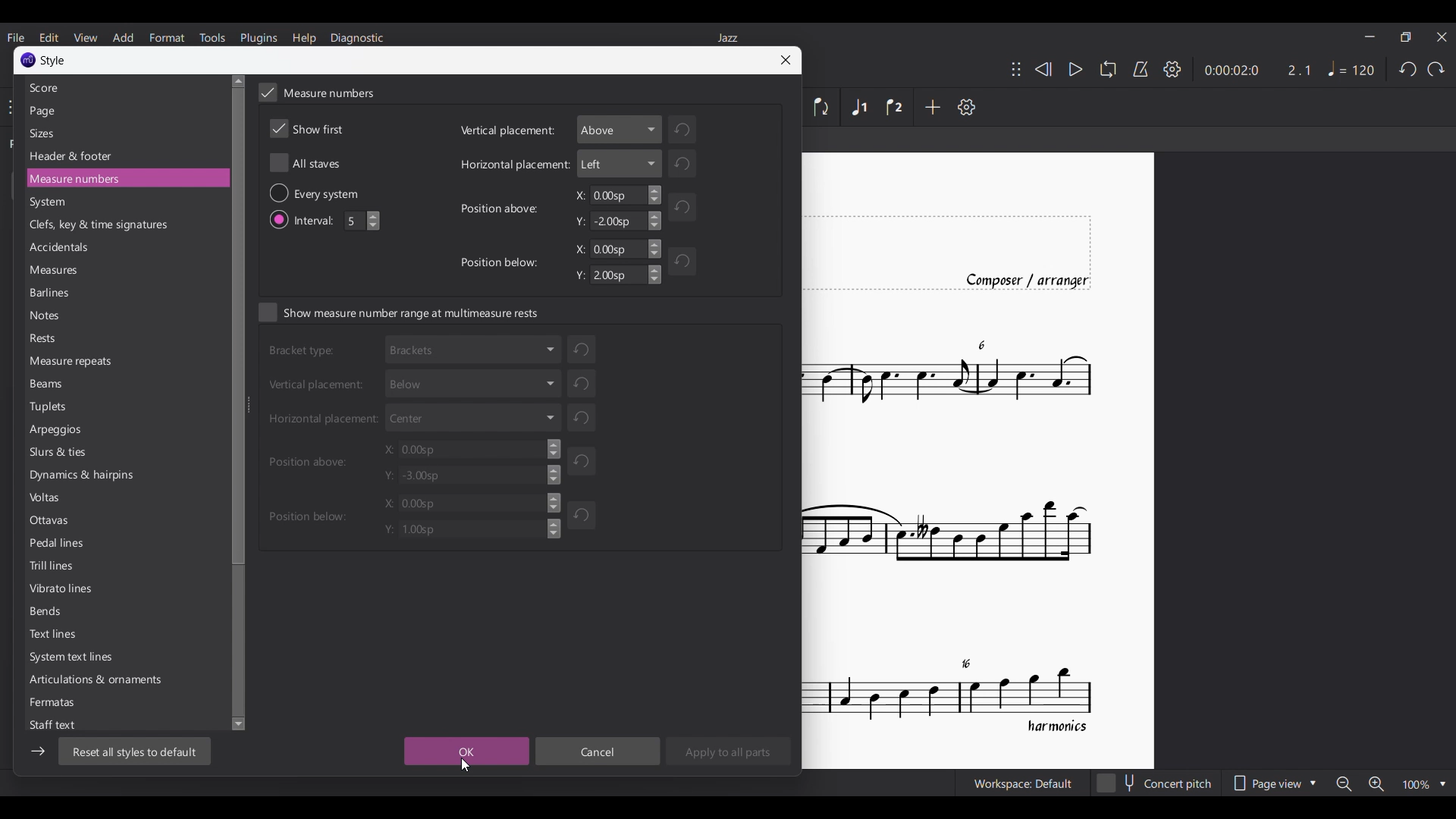 This screenshot has width=1456, height=819. I want to click on Measure, so click(86, 179).